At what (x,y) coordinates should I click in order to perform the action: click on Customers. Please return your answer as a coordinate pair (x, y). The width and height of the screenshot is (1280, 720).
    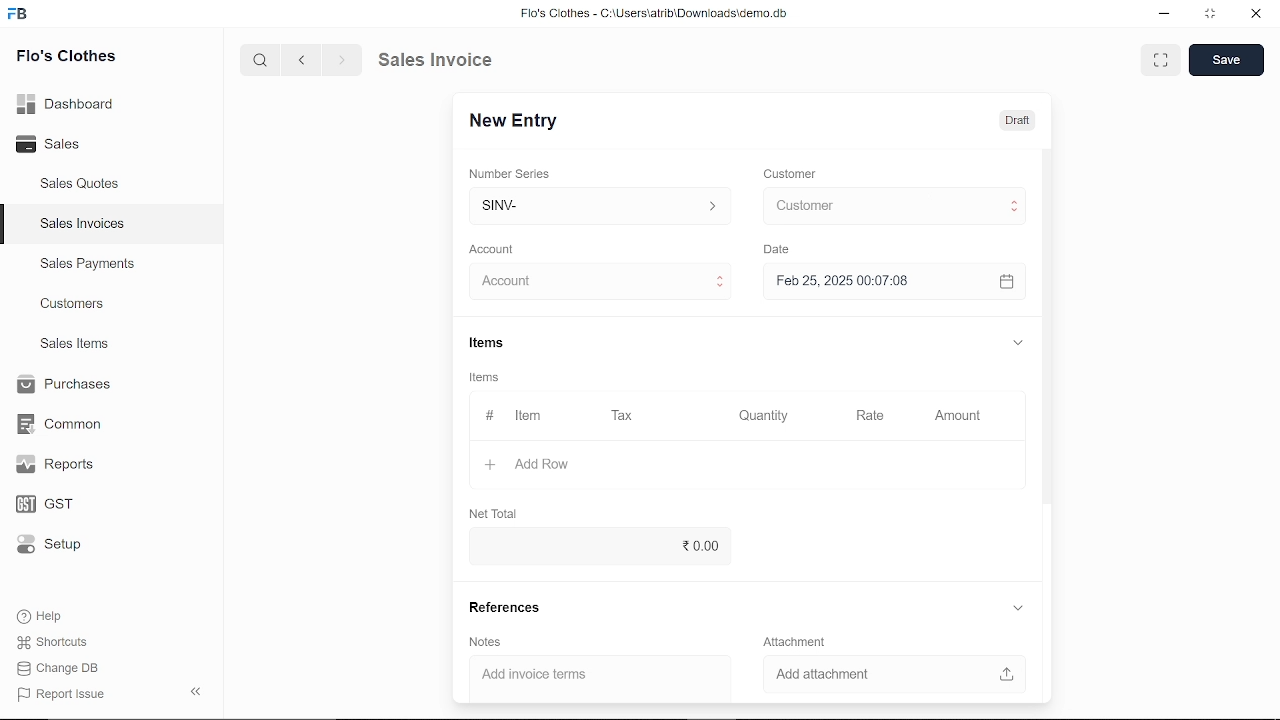
    Looking at the image, I should click on (74, 303).